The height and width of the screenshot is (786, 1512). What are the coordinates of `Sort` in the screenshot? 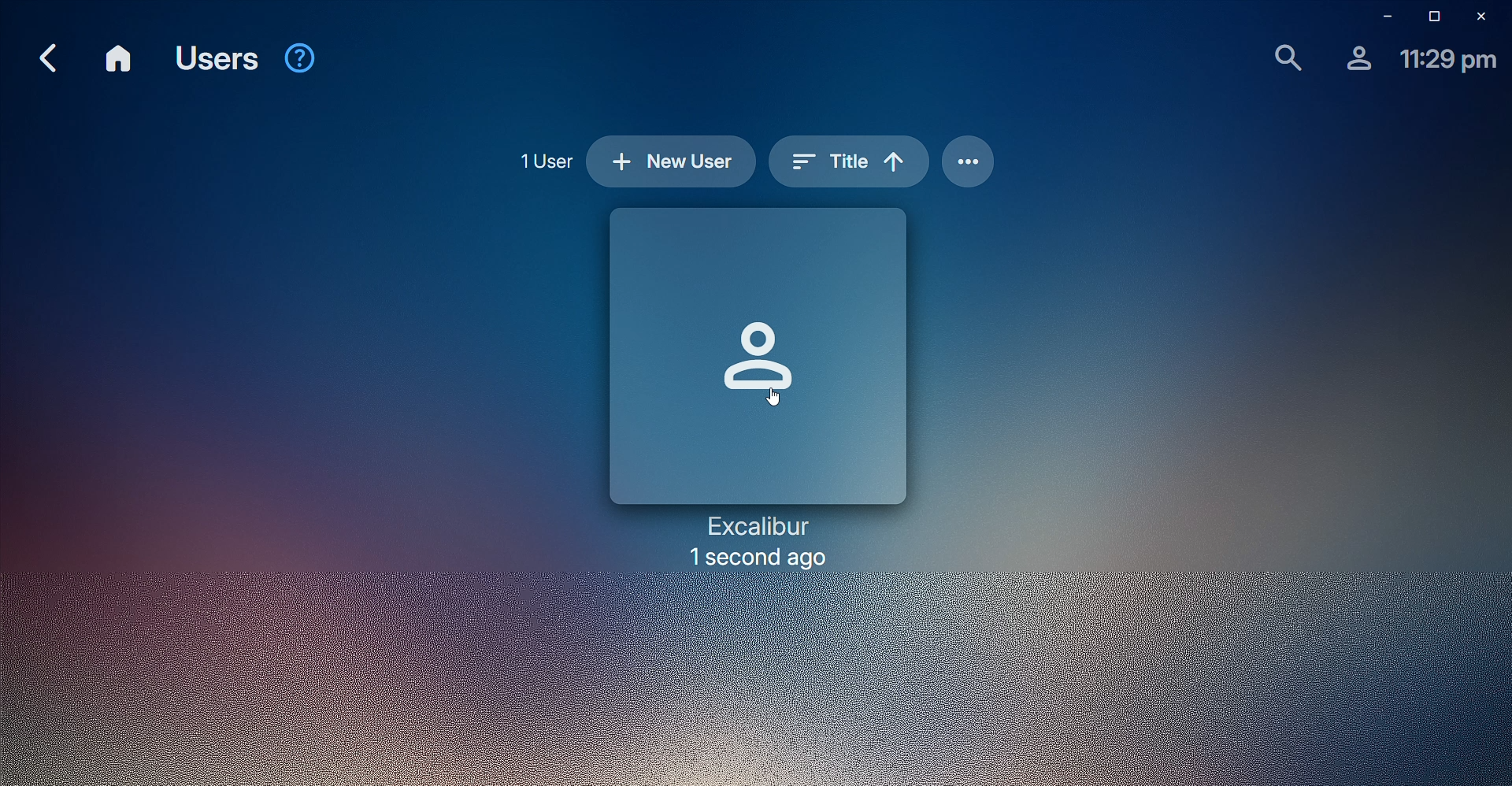 It's located at (849, 162).